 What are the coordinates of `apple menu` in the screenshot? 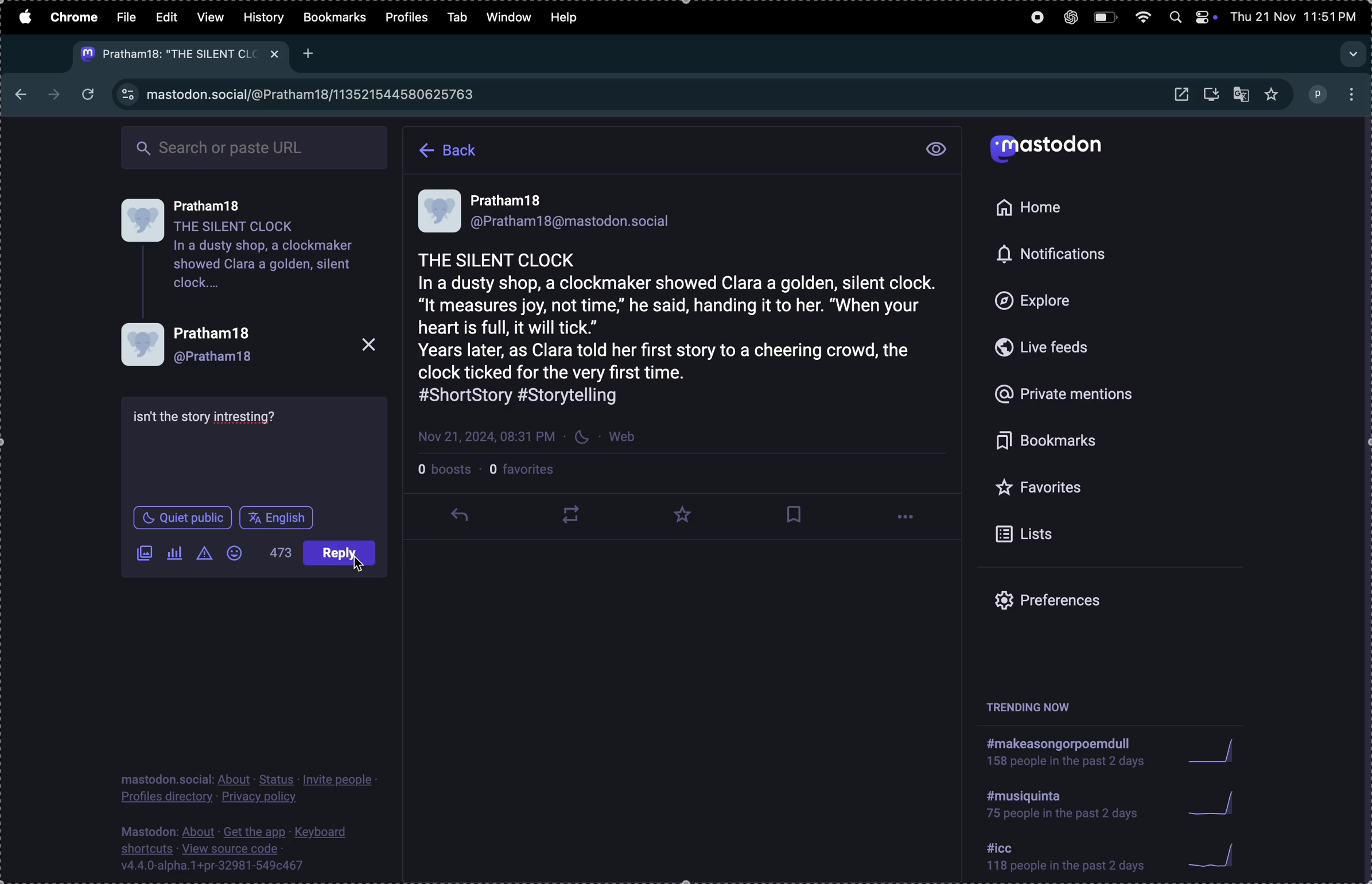 It's located at (24, 17).